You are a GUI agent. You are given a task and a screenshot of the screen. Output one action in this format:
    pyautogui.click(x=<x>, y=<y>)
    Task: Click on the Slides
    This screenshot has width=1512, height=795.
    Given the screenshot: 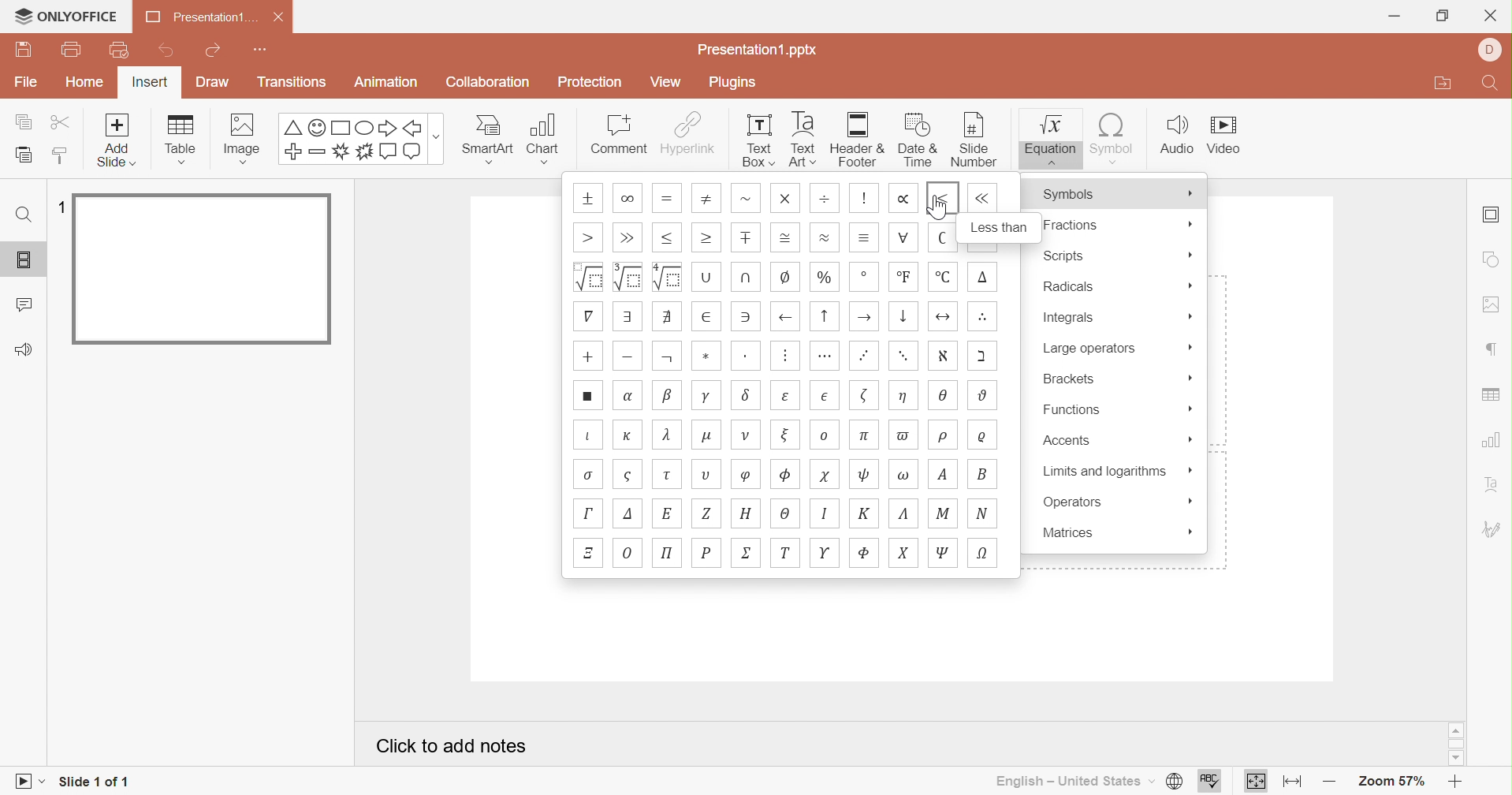 What is the action you would take?
    pyautogui.click(x=24, y=259)
    